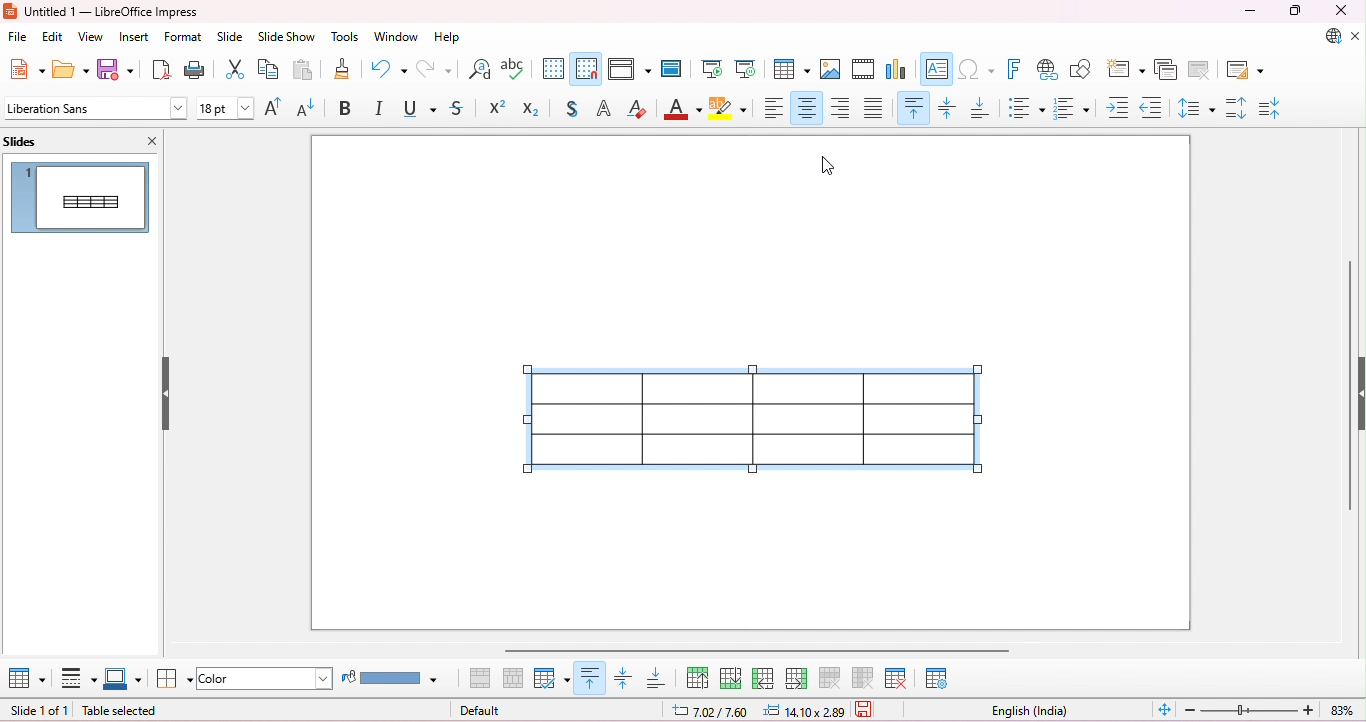  Describe the element at coordinates (76, 679) in the screenshot. I see `border style` at that location.